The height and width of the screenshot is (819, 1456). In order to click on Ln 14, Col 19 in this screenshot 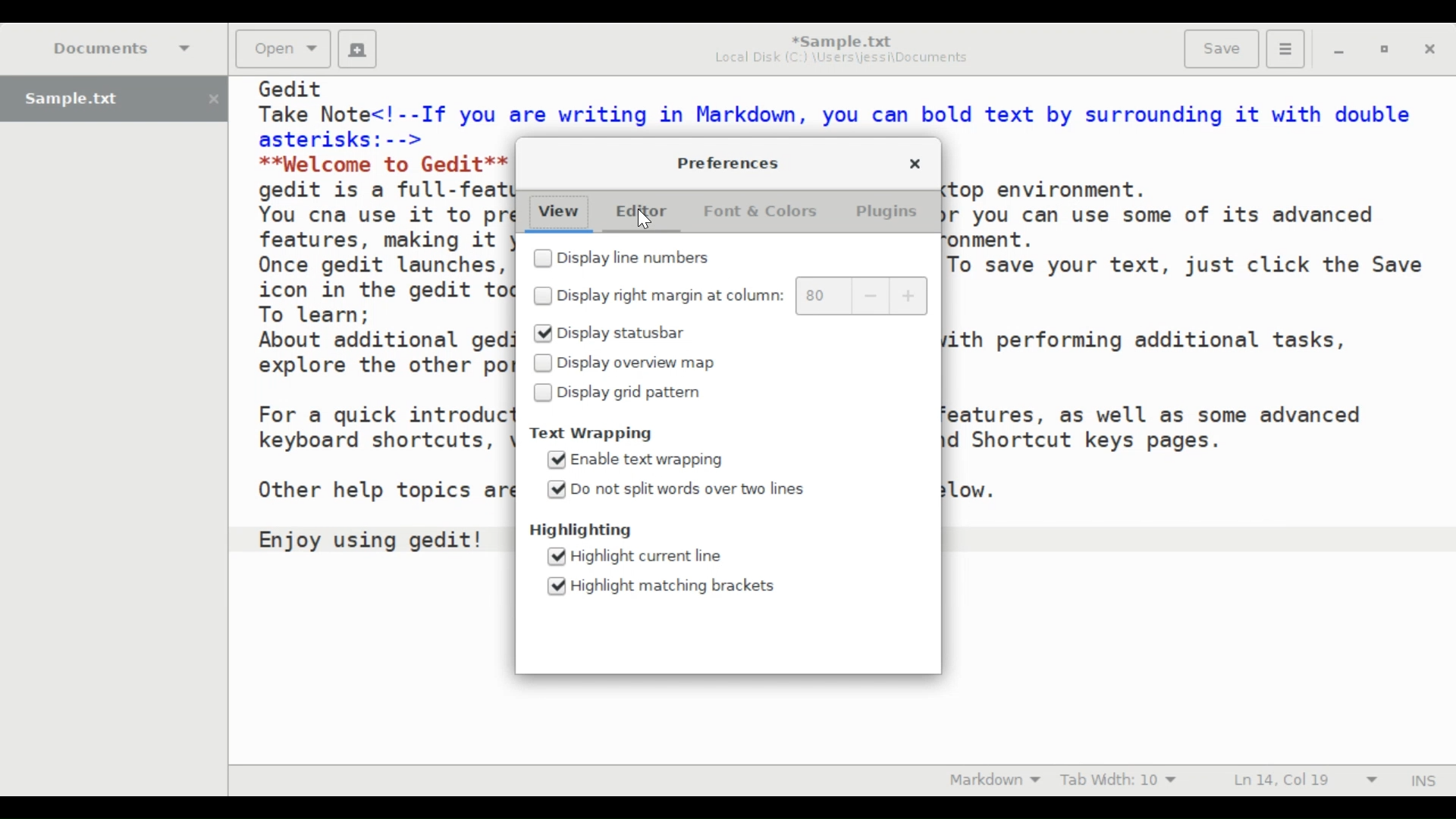, I will do `click(1303, 780)`.